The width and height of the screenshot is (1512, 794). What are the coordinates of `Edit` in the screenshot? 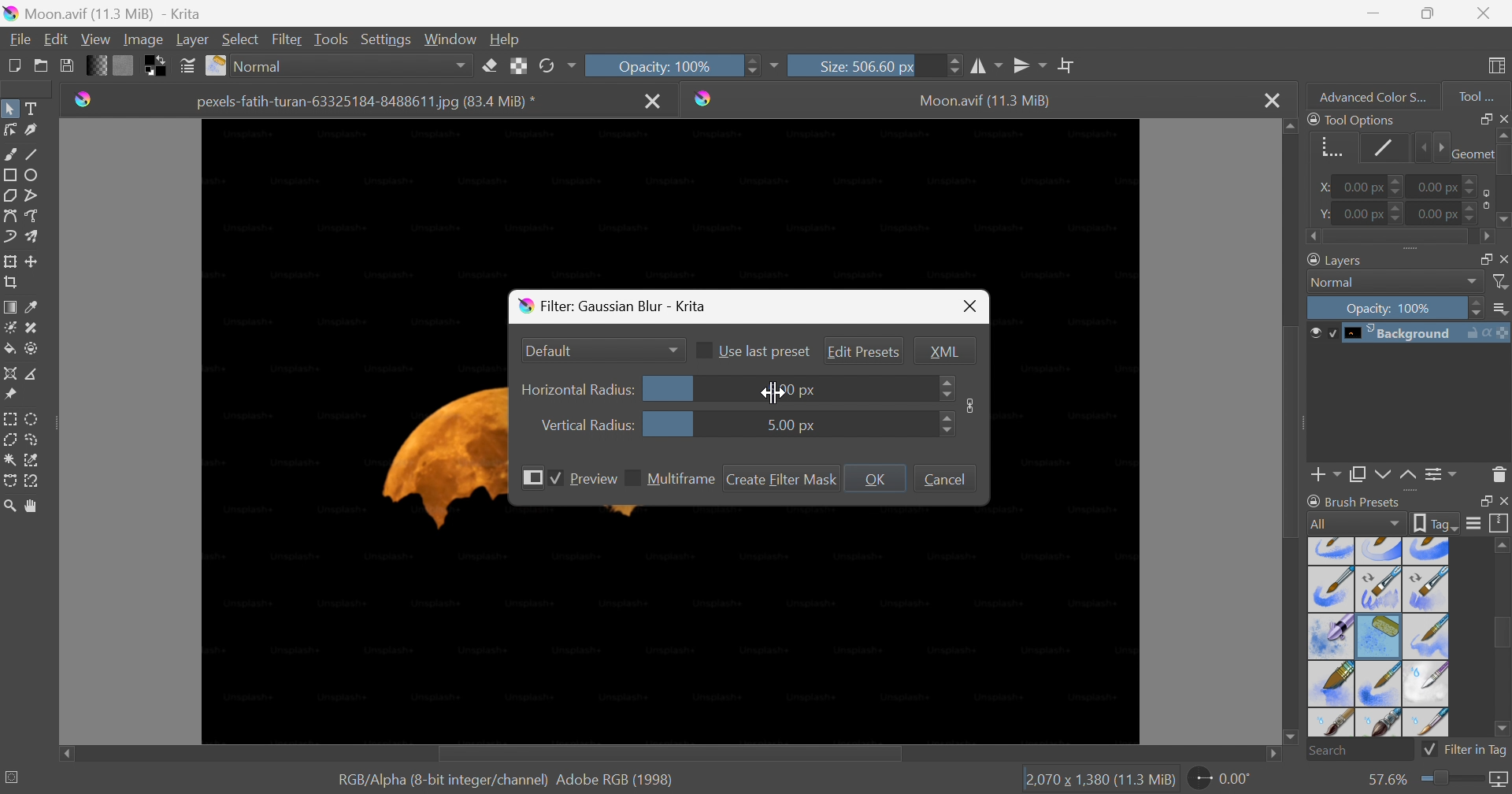 It's located at (57, 39).